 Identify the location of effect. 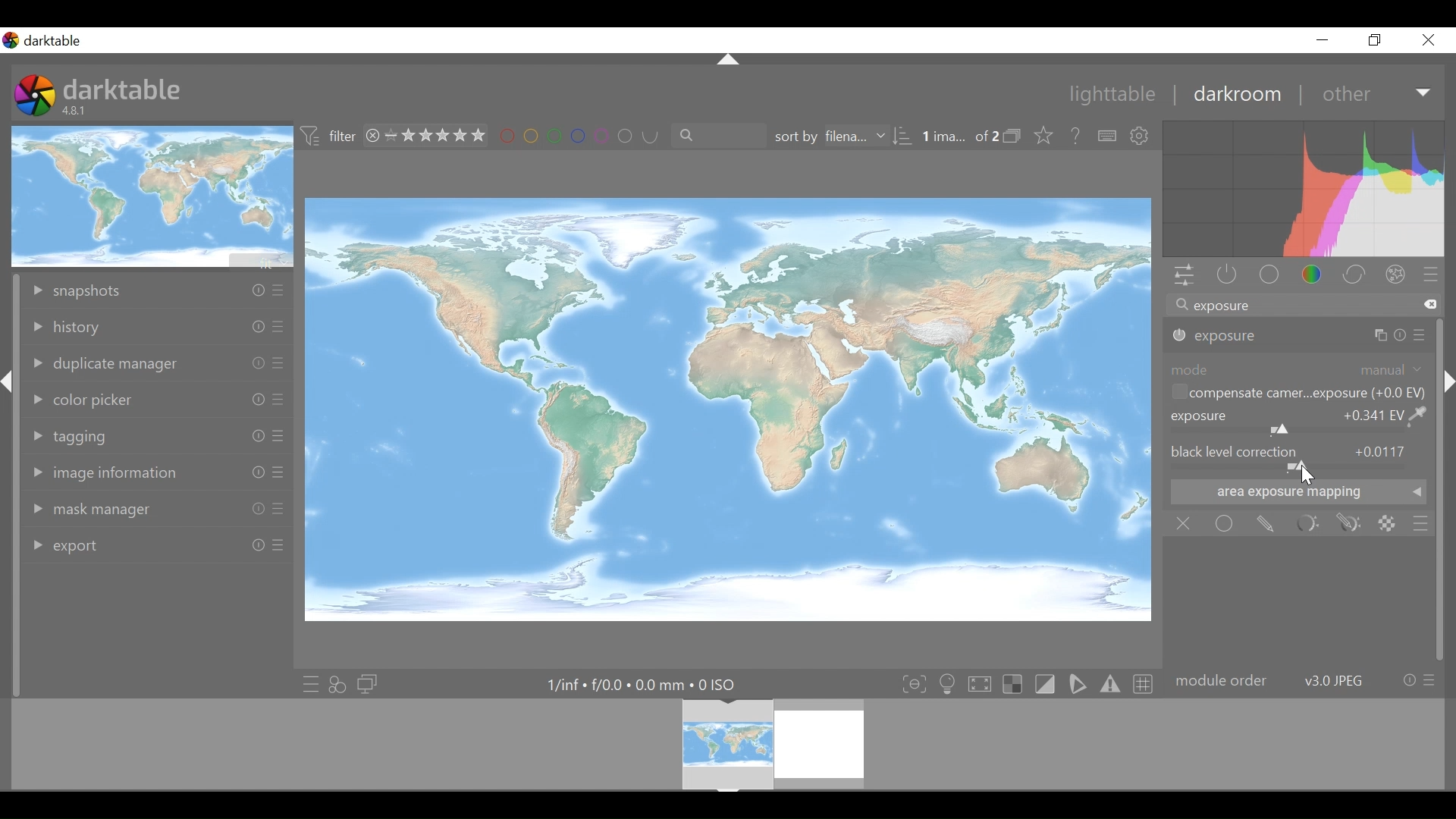
(1395, 273).